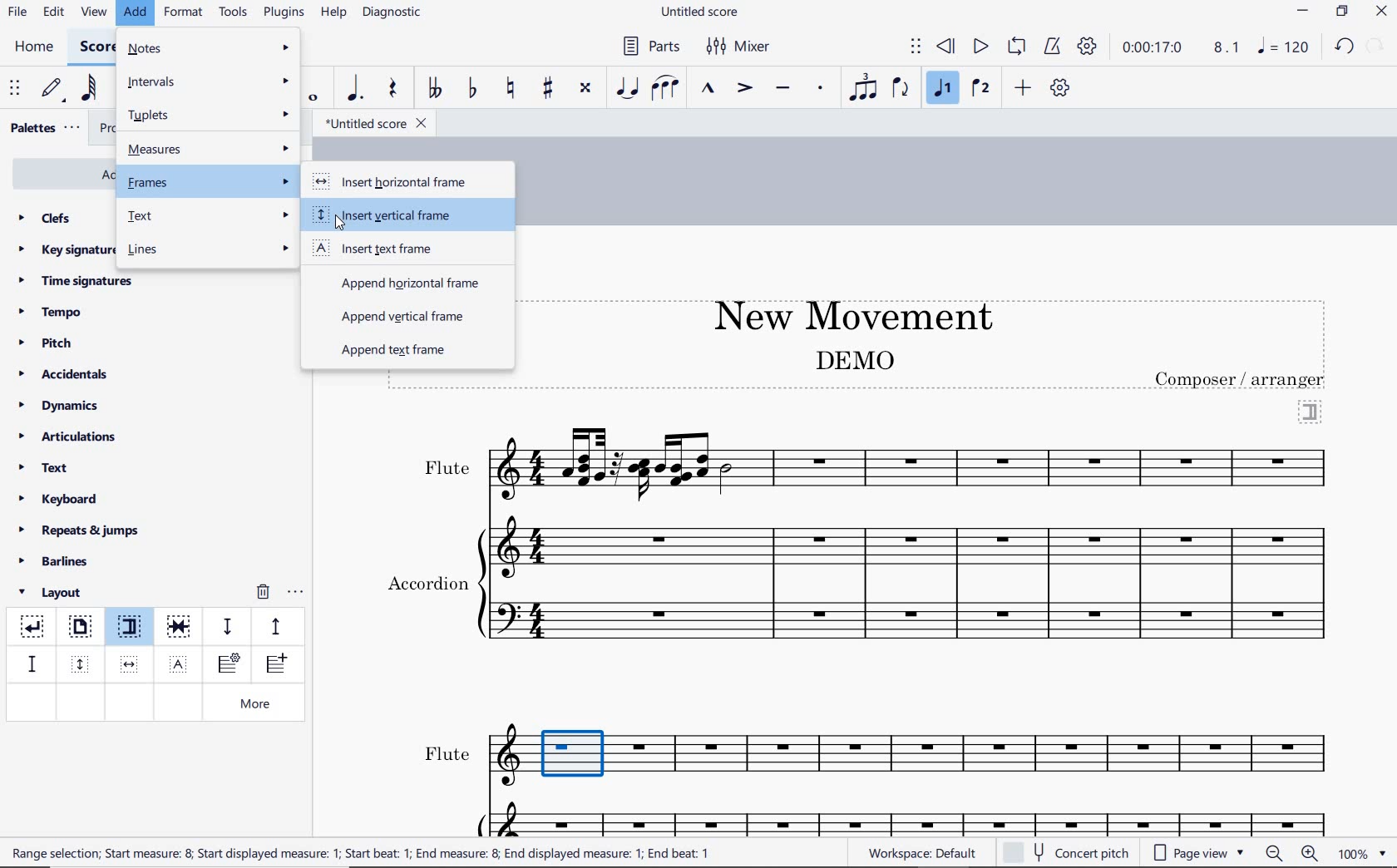  I want to click on clefs, so click(46, 218).